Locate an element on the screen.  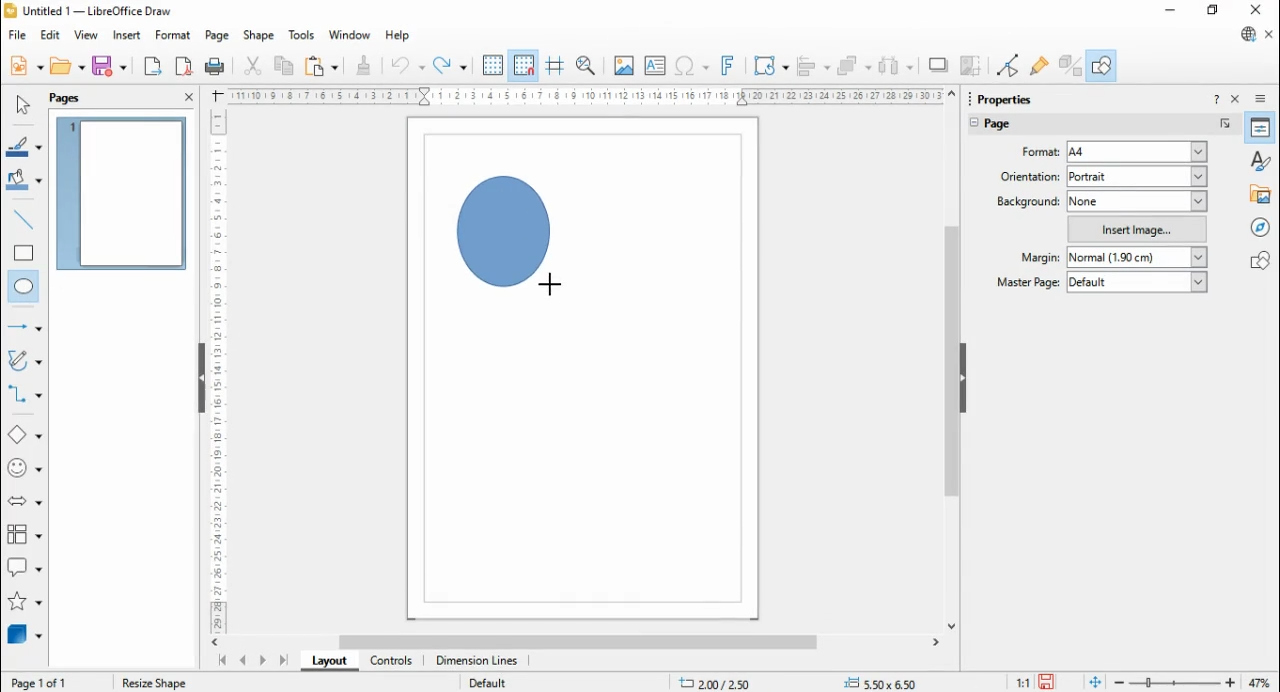
background is located at coordinates (1028, 202).